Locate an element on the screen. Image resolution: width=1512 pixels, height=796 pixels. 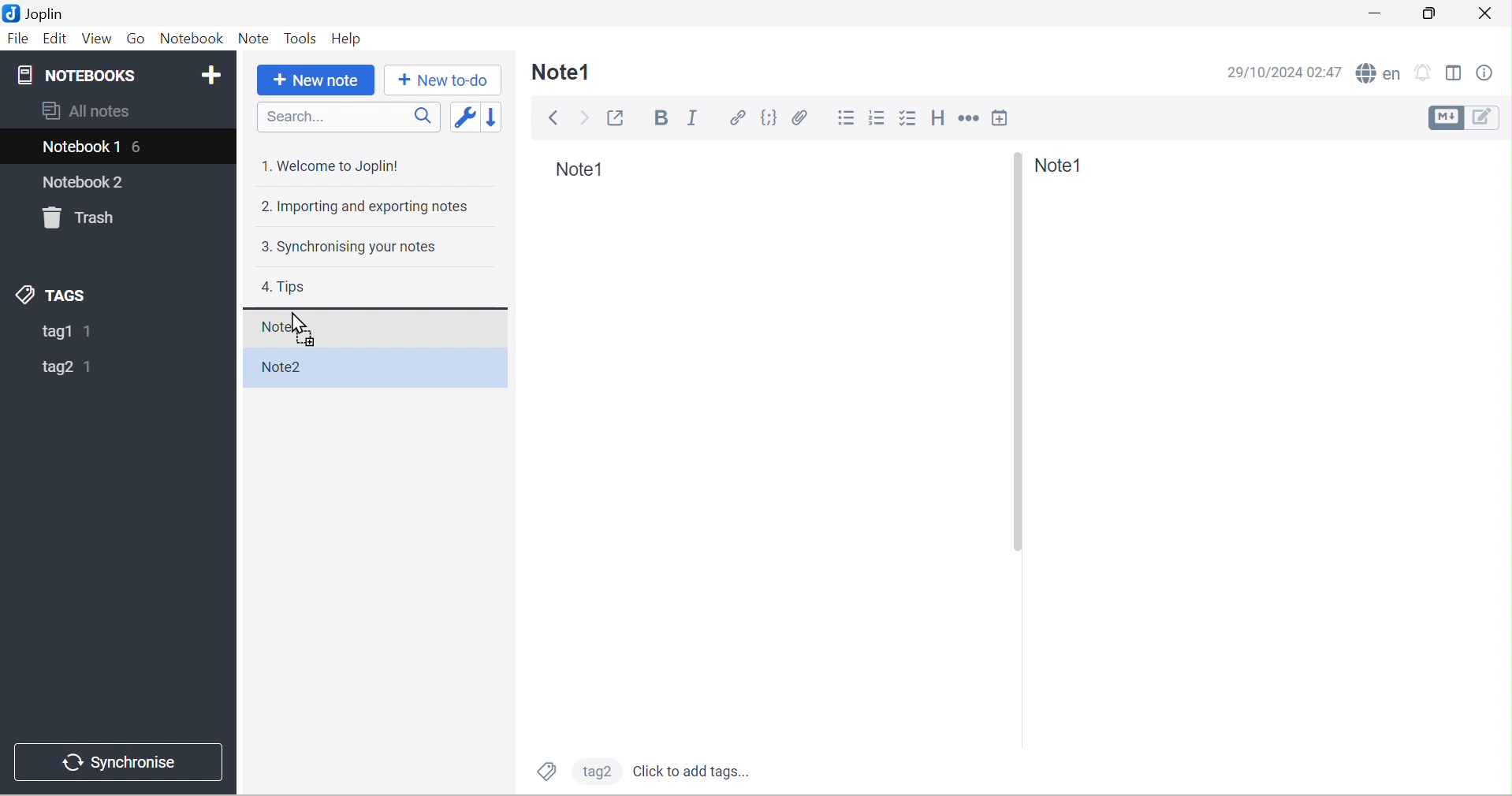
Checkbox is located at coordinates (907, 120).